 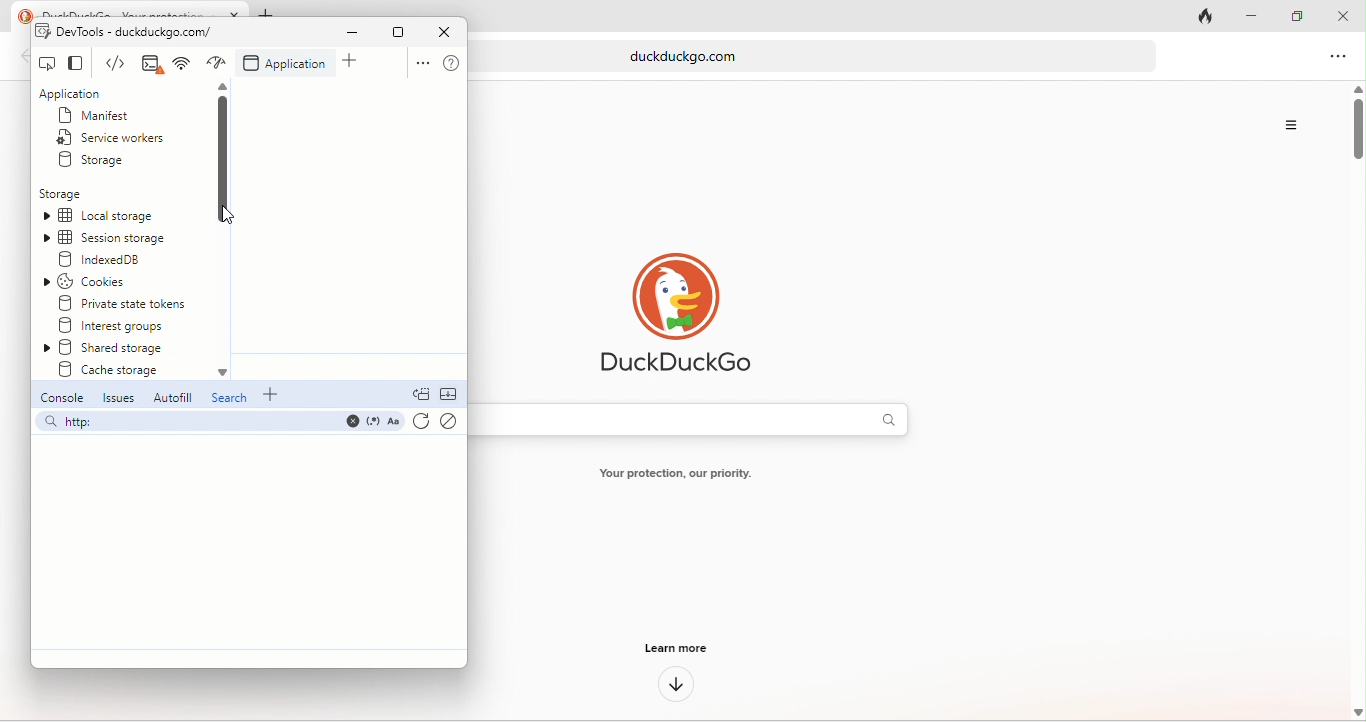 I want to click on option, so click(x=1340, y=58).